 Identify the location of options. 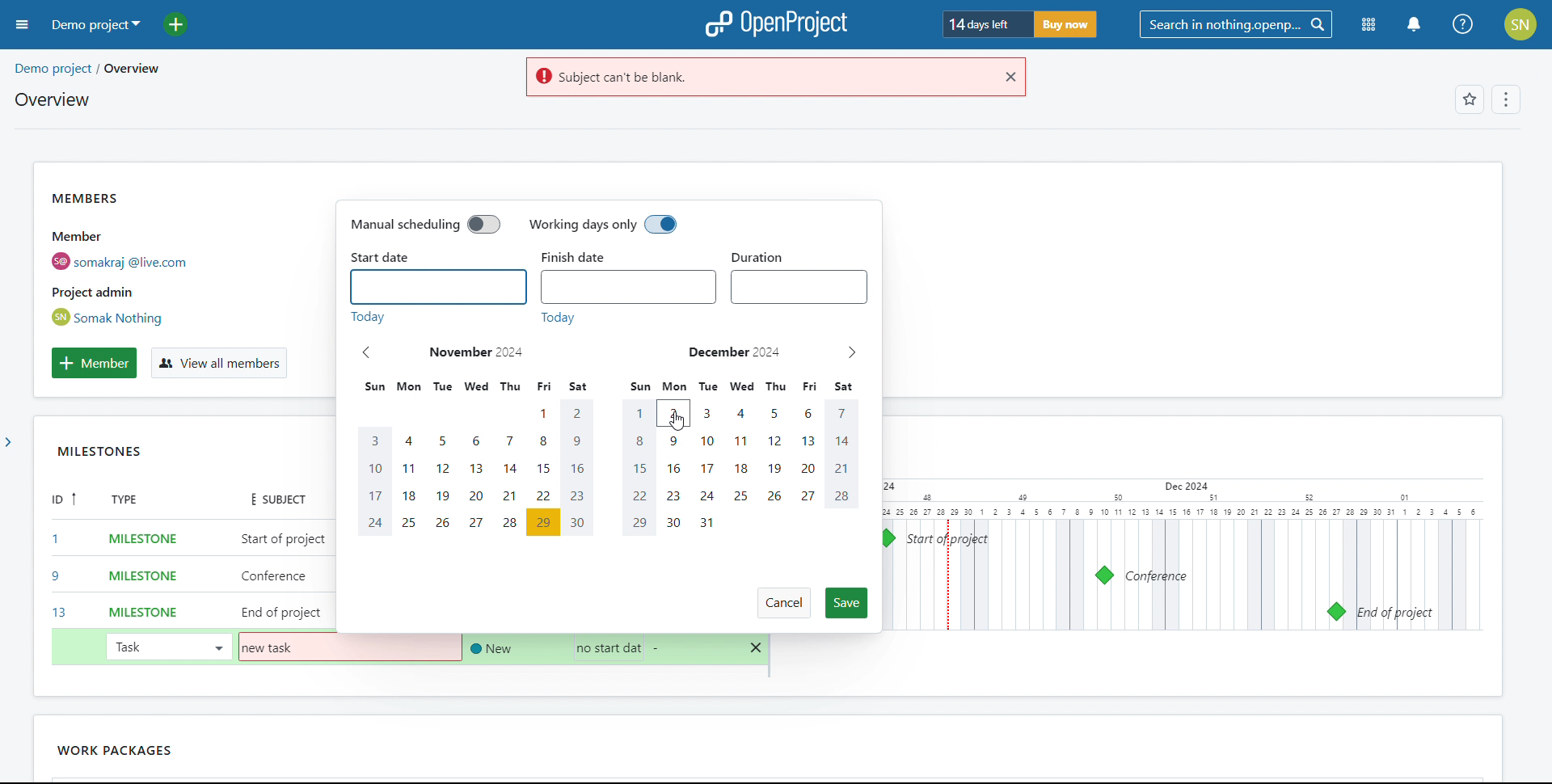
(1503, 101).